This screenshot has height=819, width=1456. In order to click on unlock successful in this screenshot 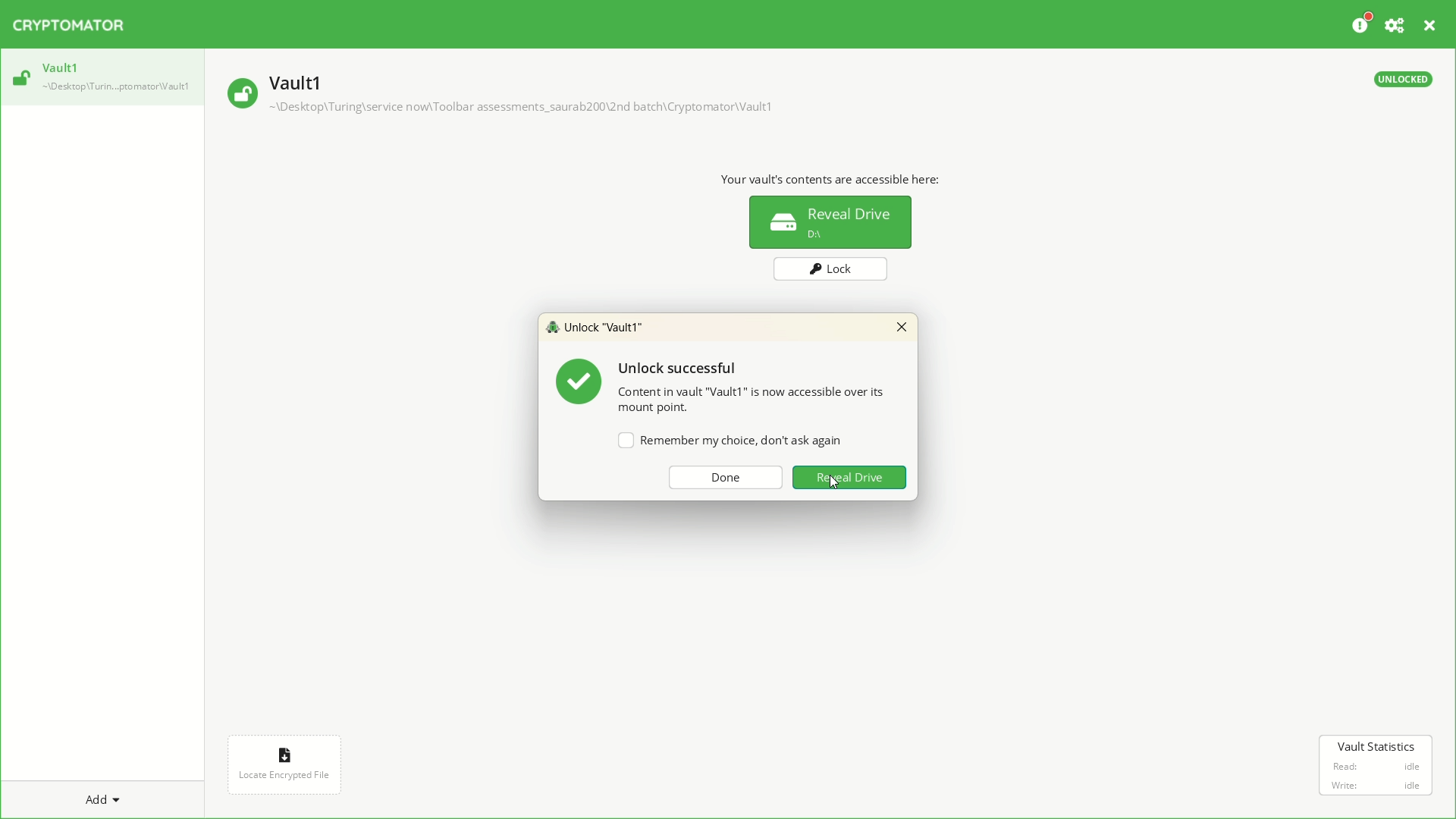, I will do `click(681, 369)`.